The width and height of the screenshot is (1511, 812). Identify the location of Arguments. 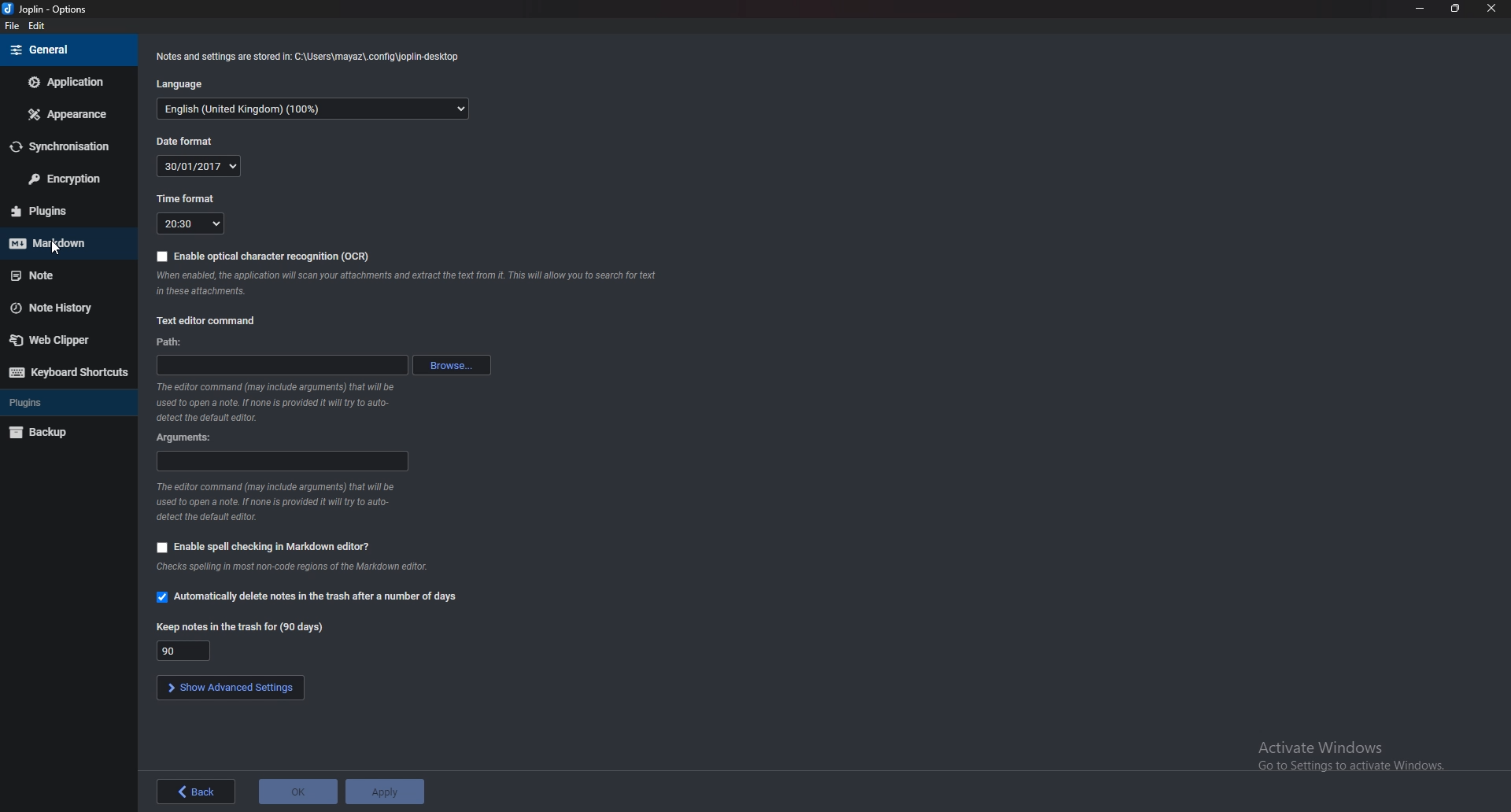
(188, 437).